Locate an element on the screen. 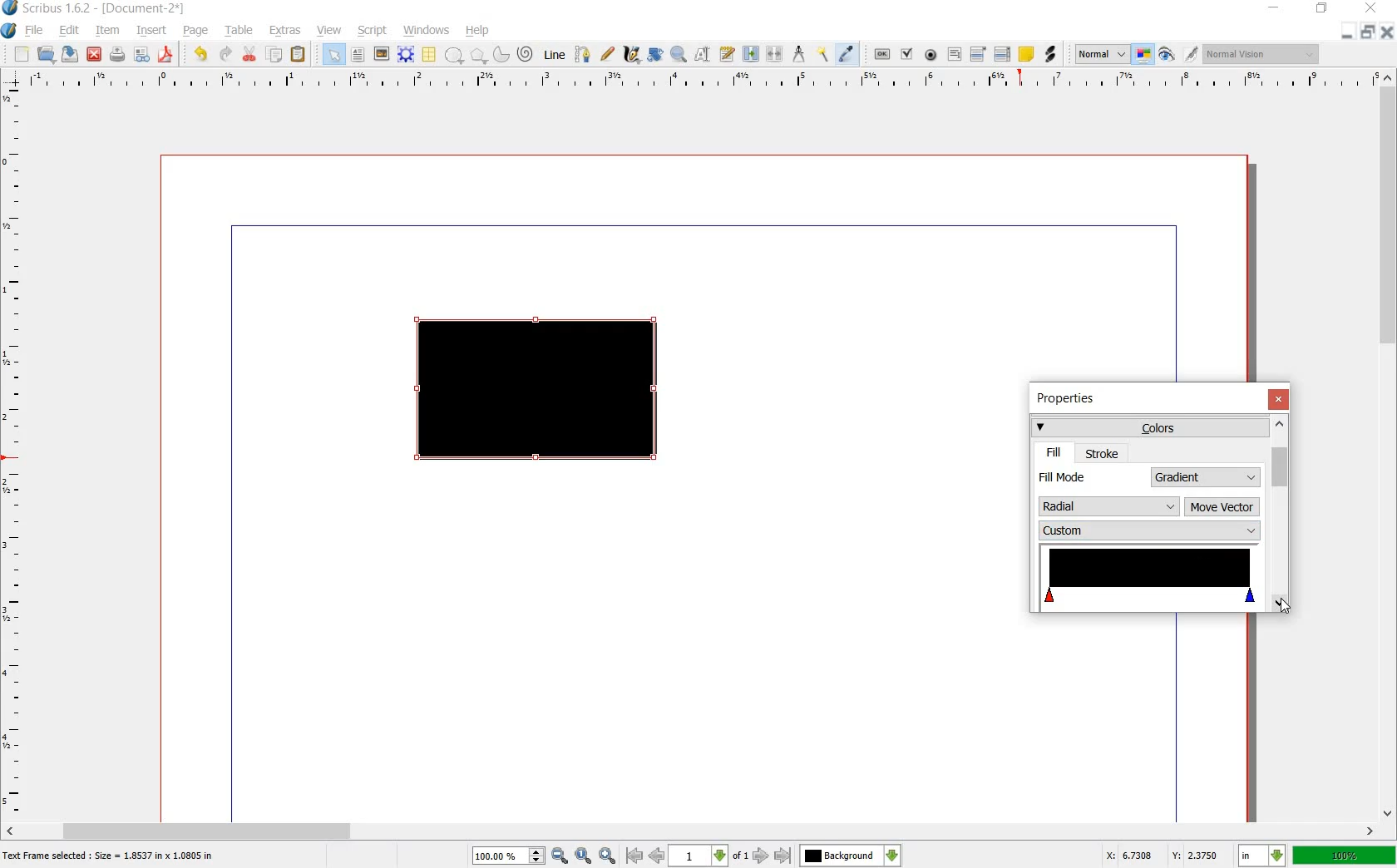 The width and height of the screenshot is (1397, 868). save is located at coordinates (72, 54).